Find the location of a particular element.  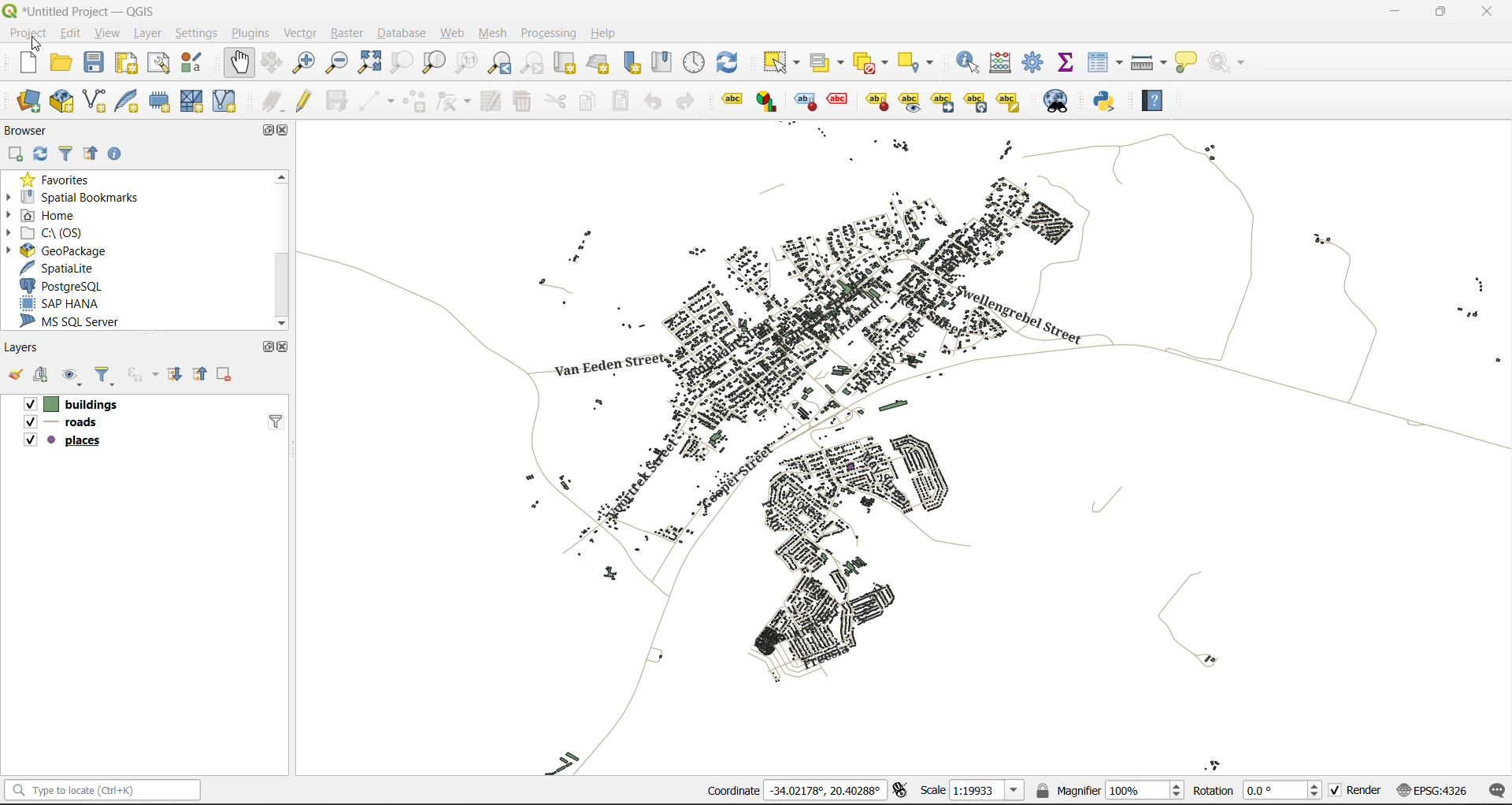

project is located at coordinates (27, 32).